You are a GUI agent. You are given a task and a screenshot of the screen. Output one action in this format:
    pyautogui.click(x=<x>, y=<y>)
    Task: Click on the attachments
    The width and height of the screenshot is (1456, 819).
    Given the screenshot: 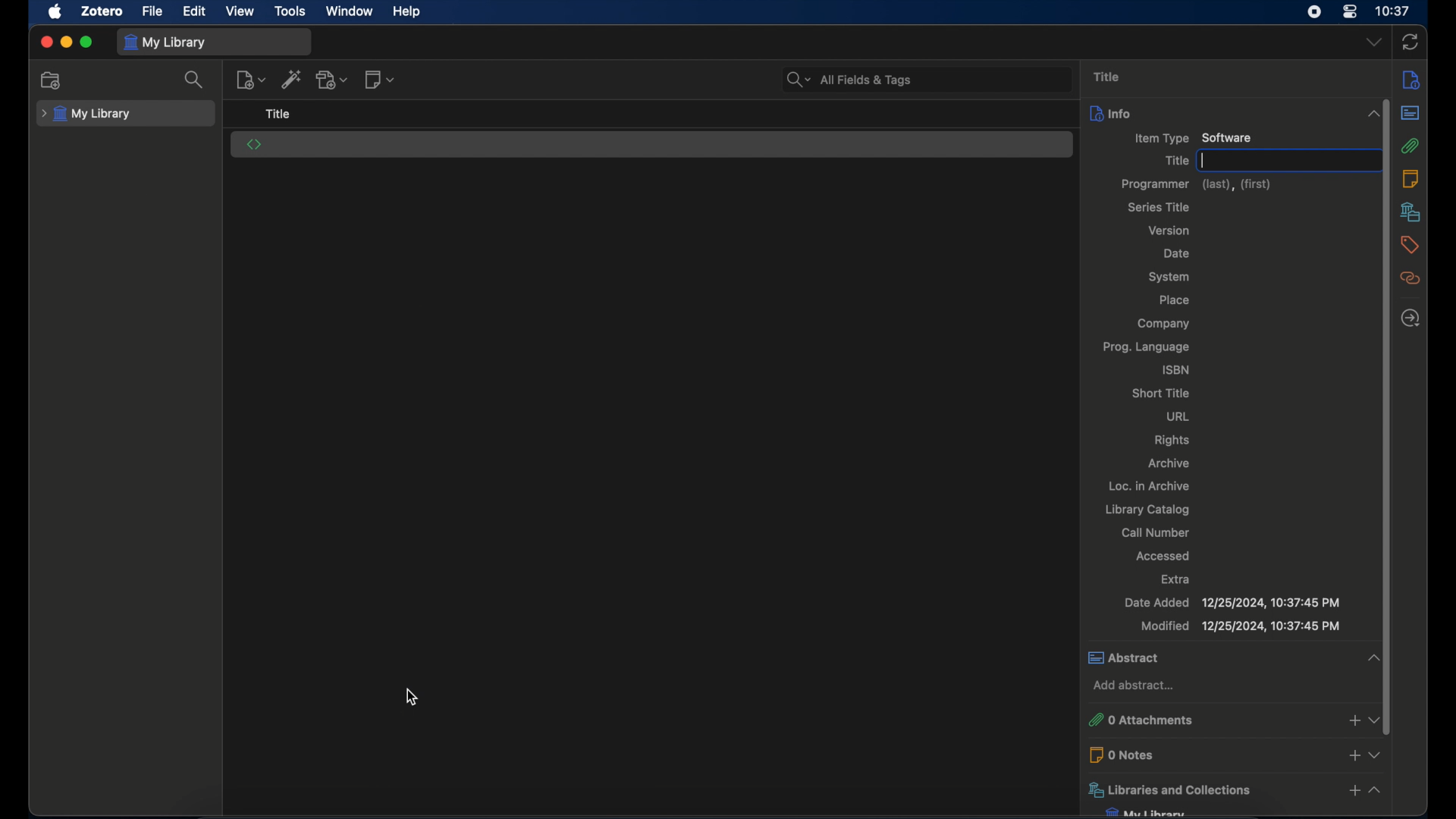 What is the action you would take?
    pyautogui.click(x=1411, y=146)
    